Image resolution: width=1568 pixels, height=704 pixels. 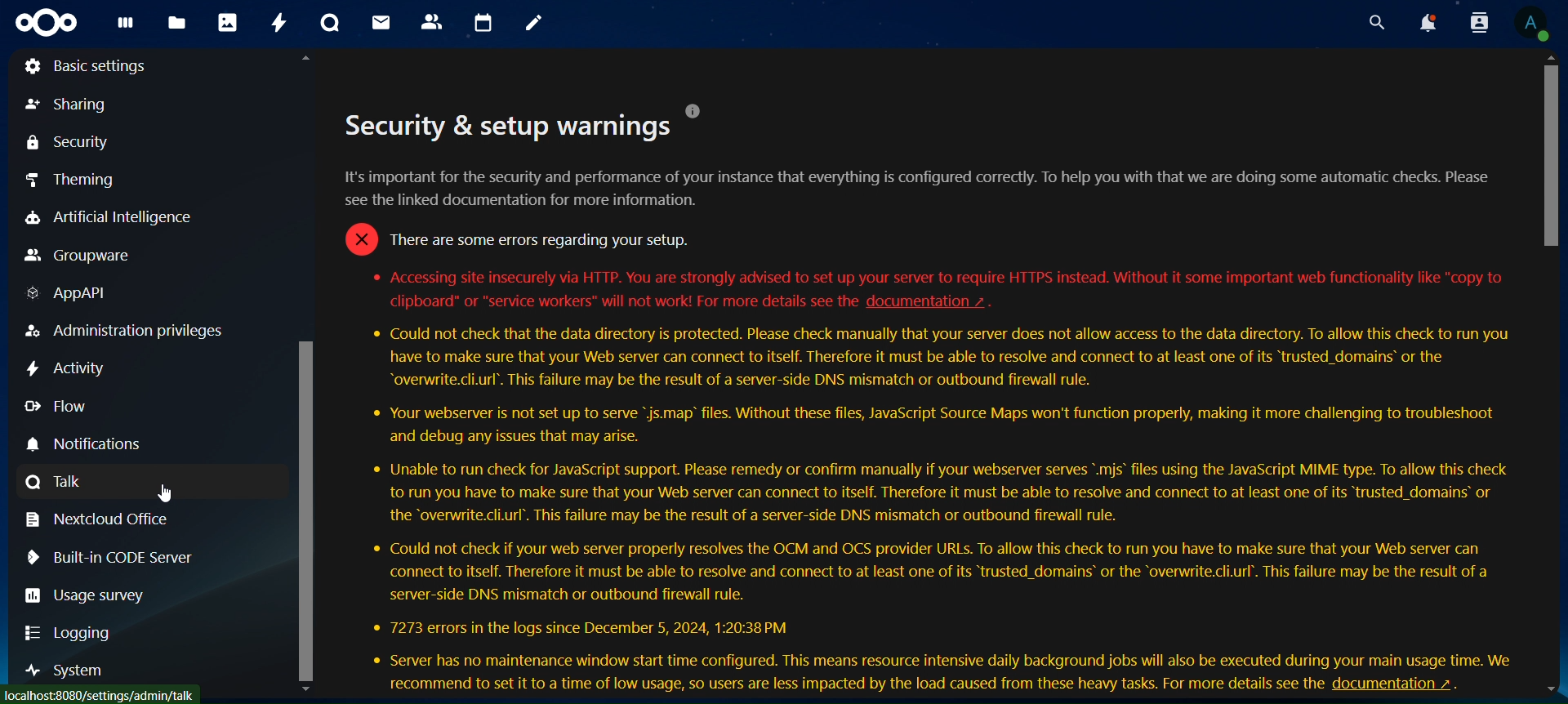 I want to click on usage survey, so click(x=82, y=598).